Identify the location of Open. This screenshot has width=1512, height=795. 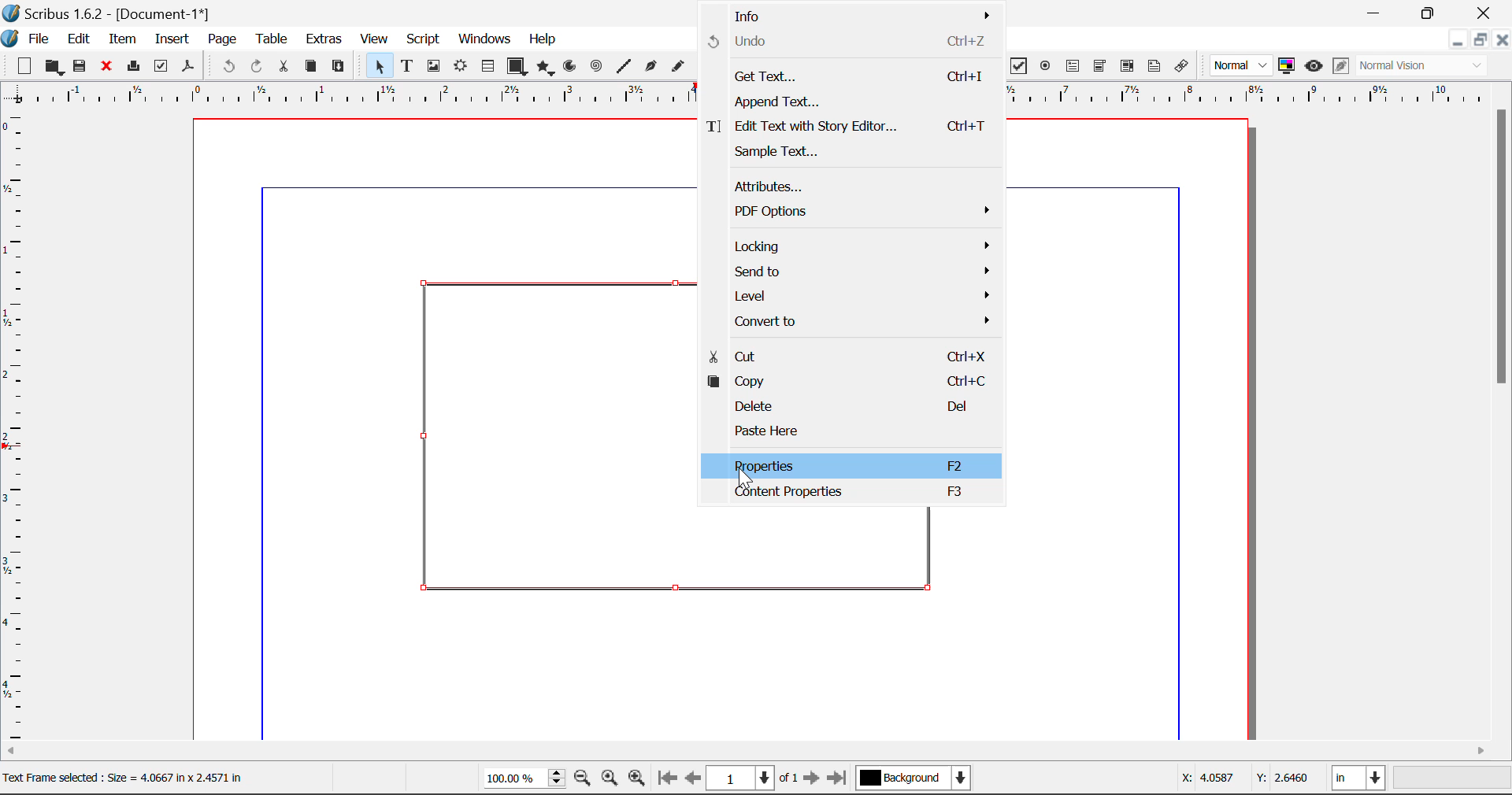
(54, 67).